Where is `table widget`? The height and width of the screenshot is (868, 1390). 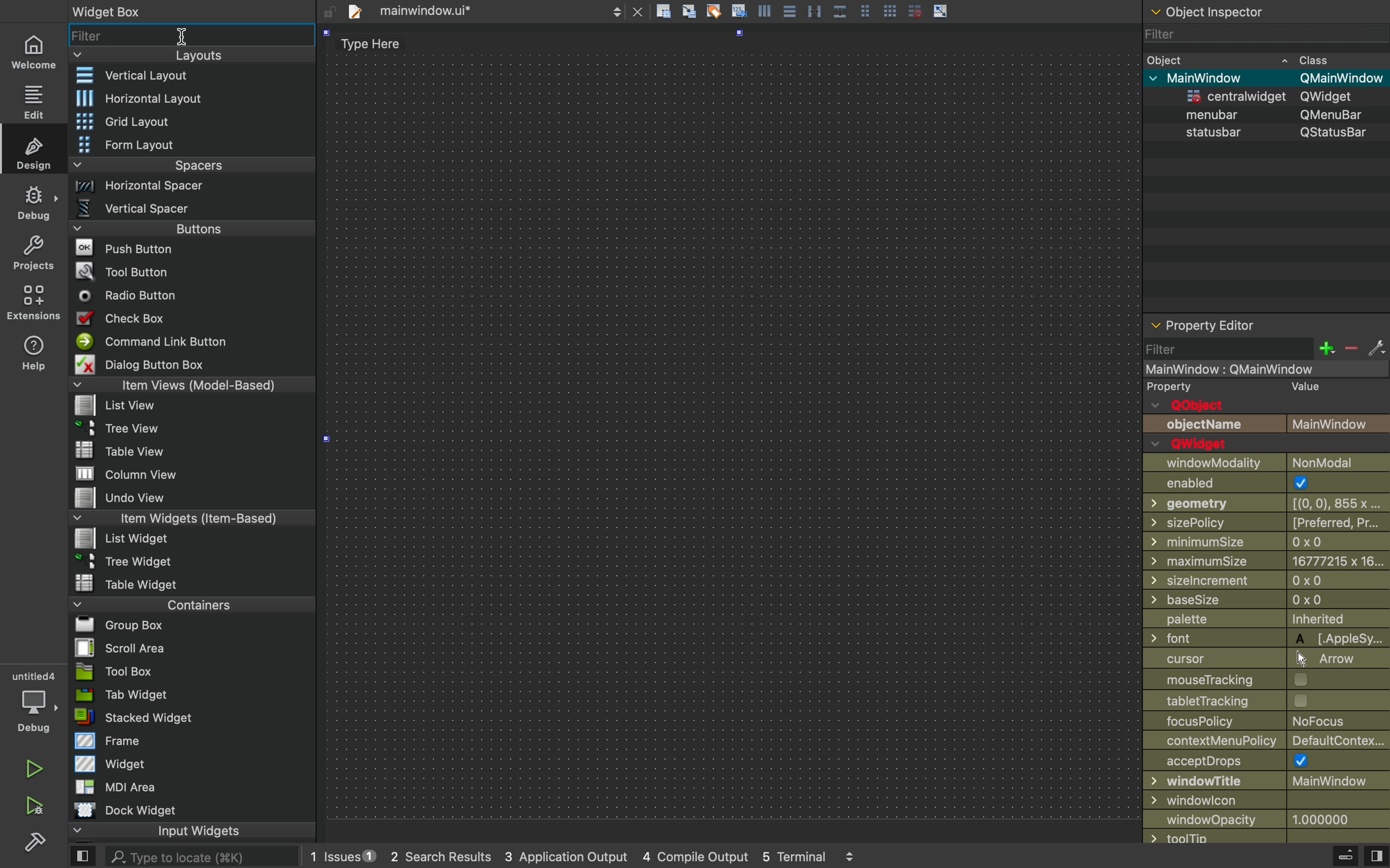
table widget is located at coordinates (193, 583).